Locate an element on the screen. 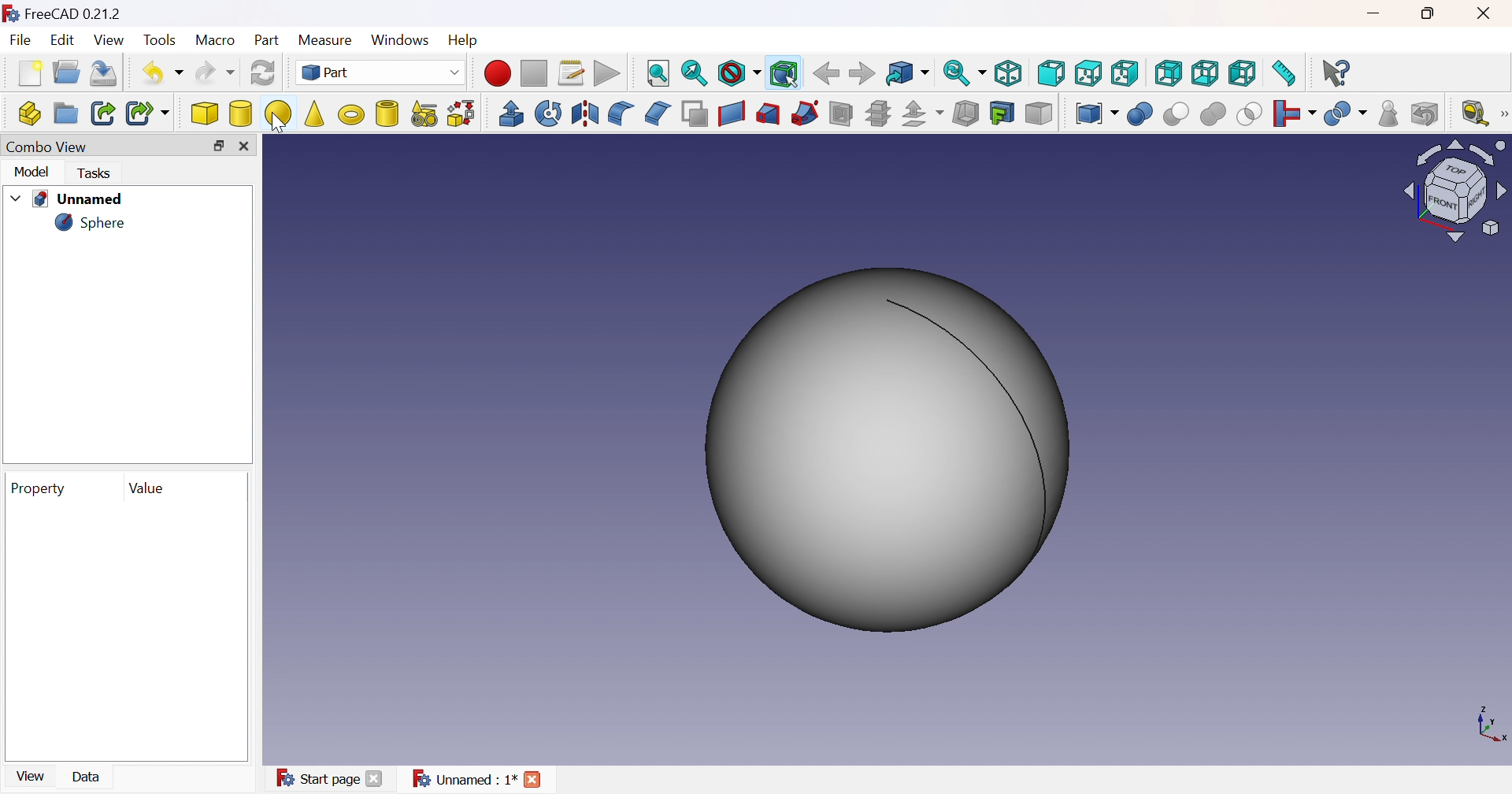  File is located at coordinates (24, 40).